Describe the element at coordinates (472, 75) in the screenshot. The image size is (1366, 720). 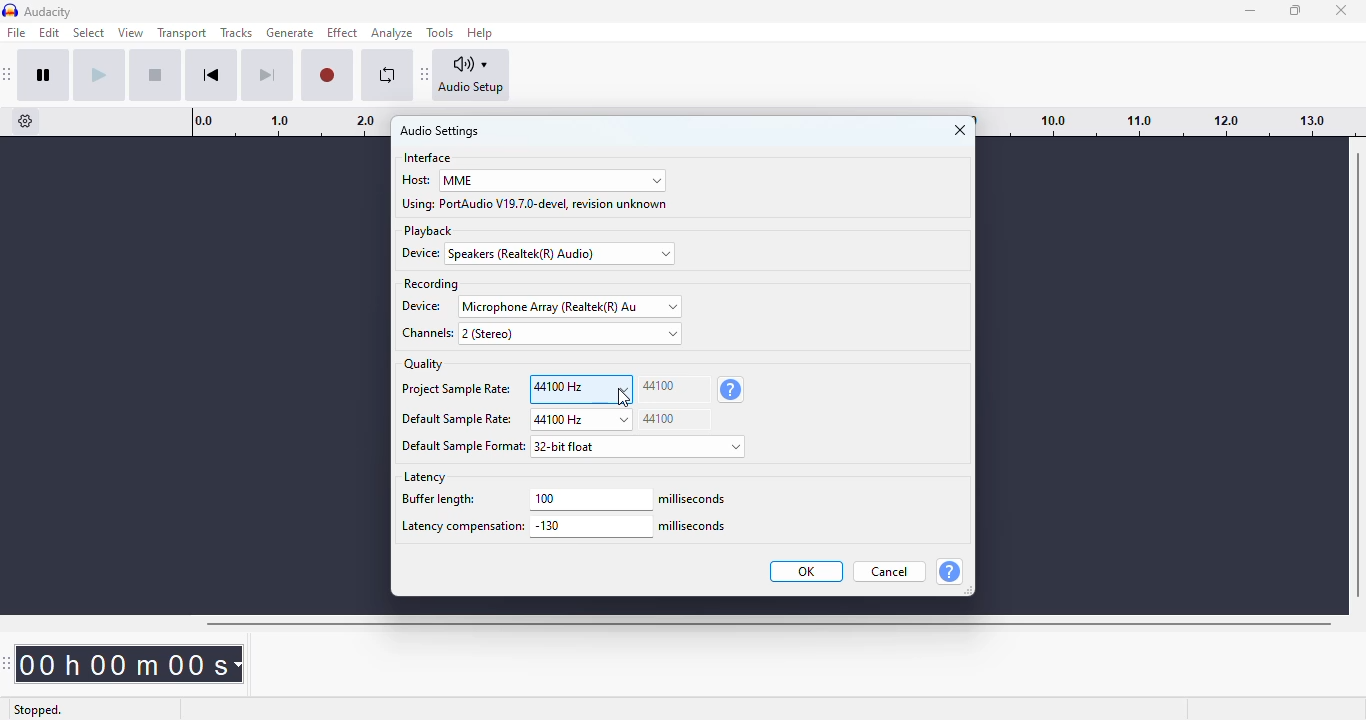
I see `audio setup` at that location.